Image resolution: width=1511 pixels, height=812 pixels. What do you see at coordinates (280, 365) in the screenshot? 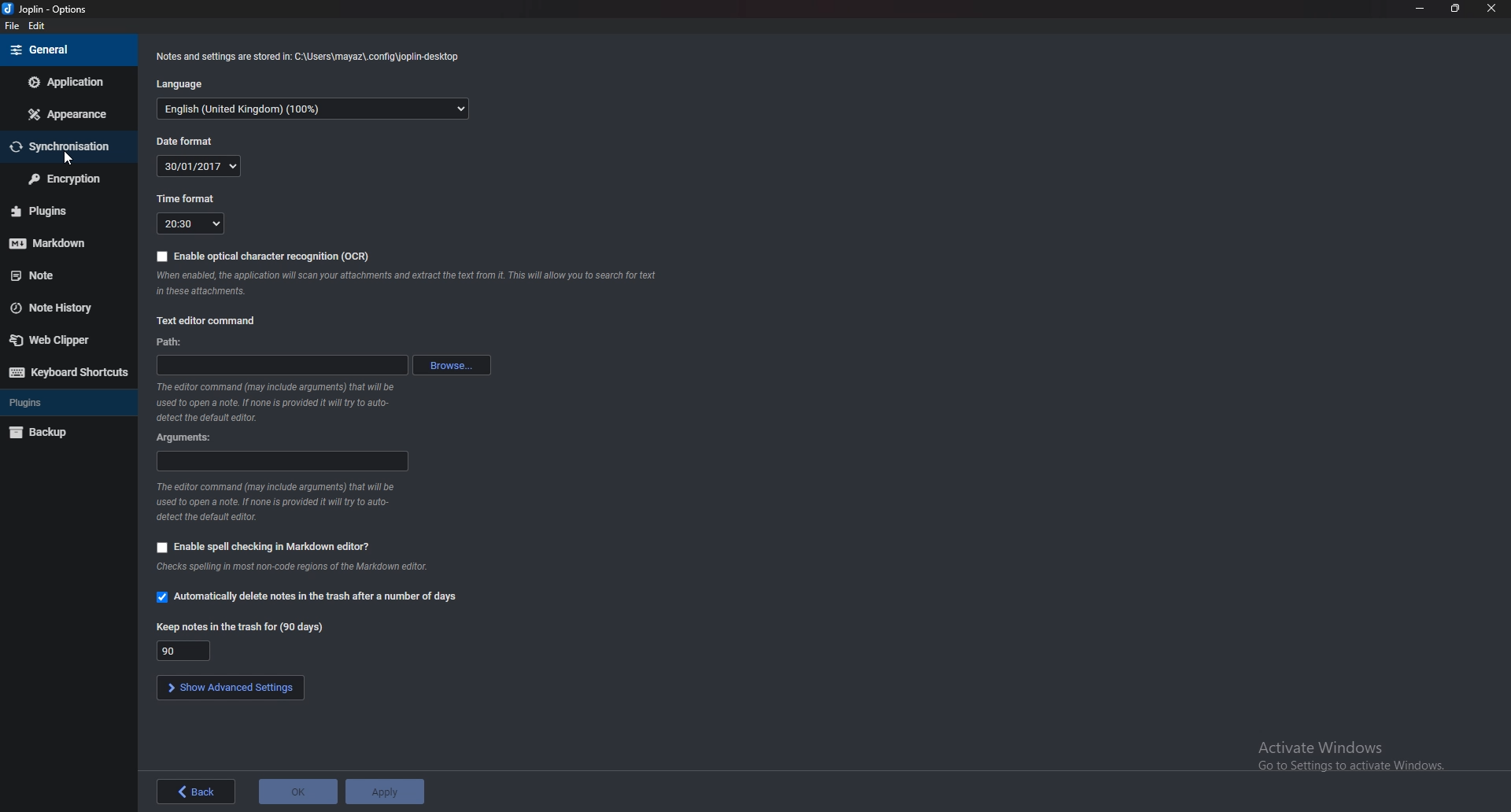
I see `path input` at bounding box center [280, 365].